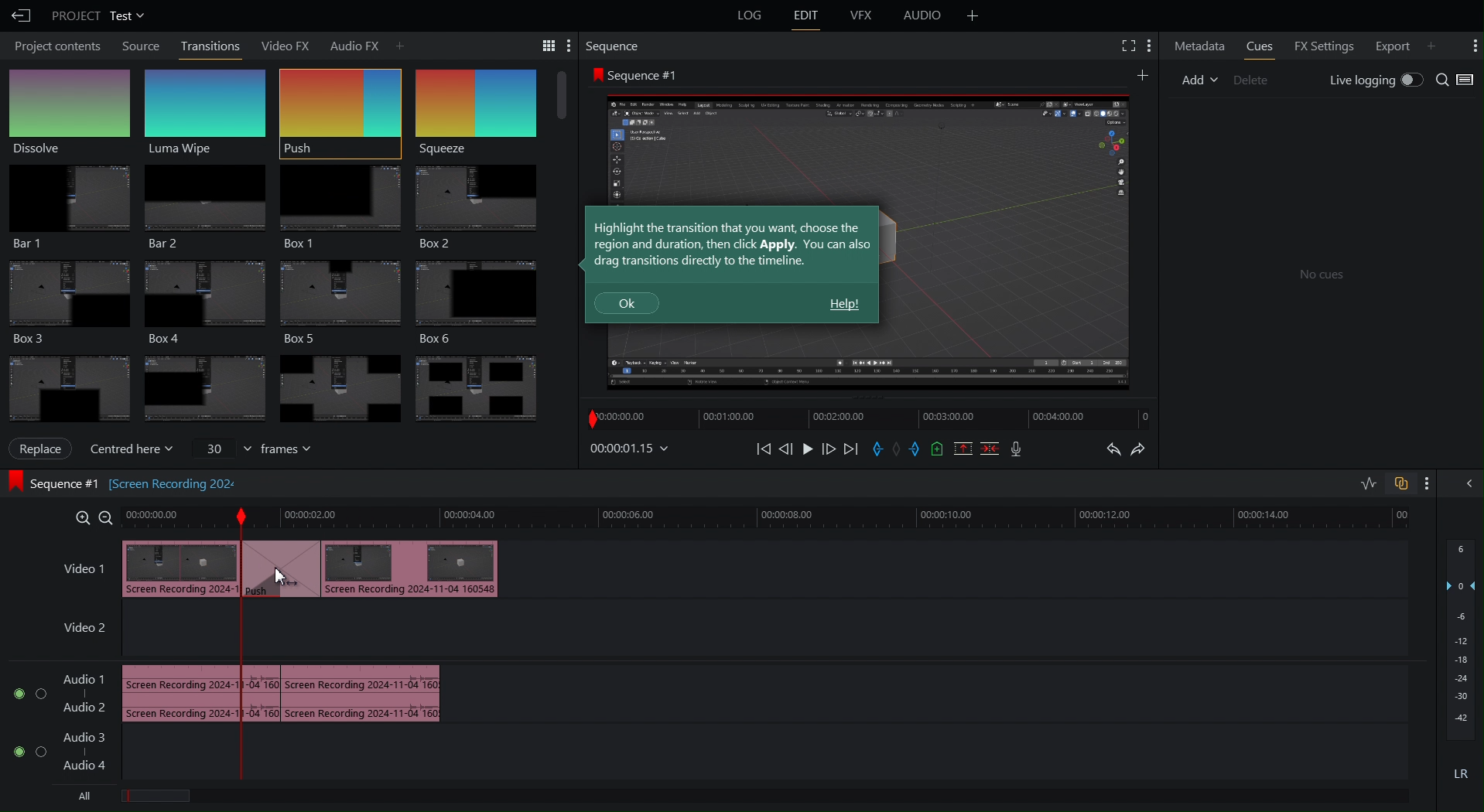  What do you see at coordinates (1467, 483) in the screenshot?
I see `Collapse` at bounding box center [1467, 483].